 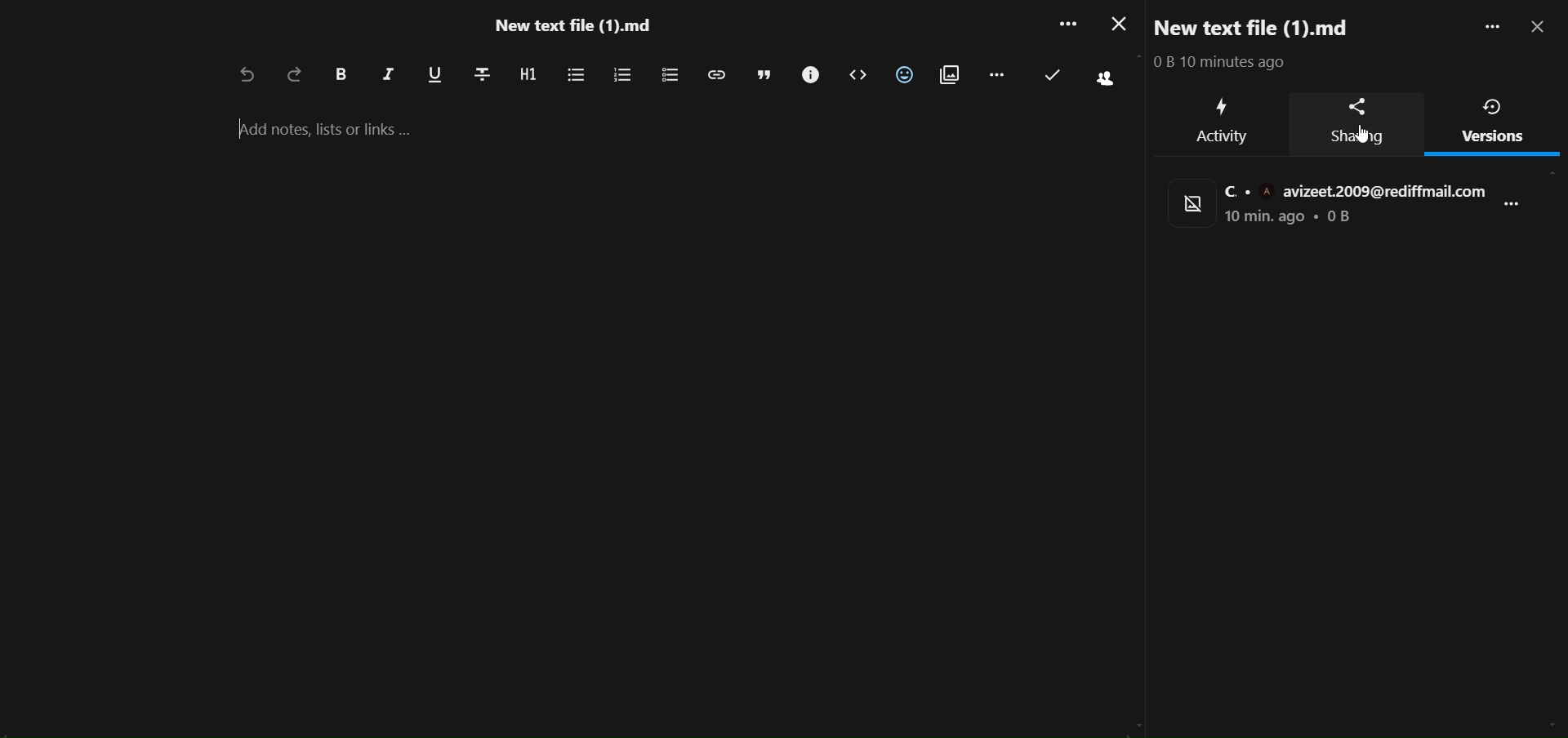 I want to click on sharing, so click(x=1357, y=139).